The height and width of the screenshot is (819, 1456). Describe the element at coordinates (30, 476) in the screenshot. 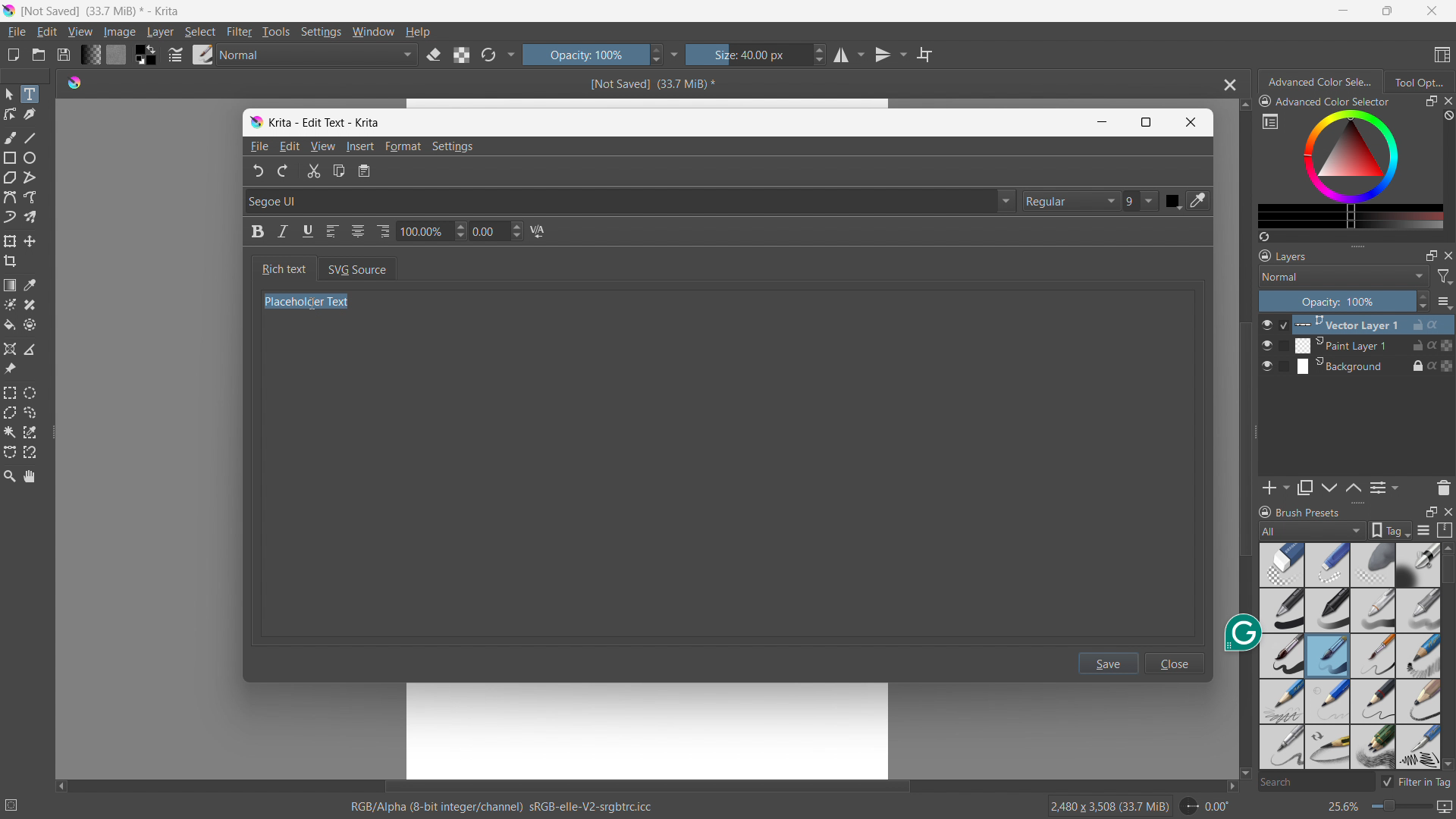

I see `pan tool` at that location.